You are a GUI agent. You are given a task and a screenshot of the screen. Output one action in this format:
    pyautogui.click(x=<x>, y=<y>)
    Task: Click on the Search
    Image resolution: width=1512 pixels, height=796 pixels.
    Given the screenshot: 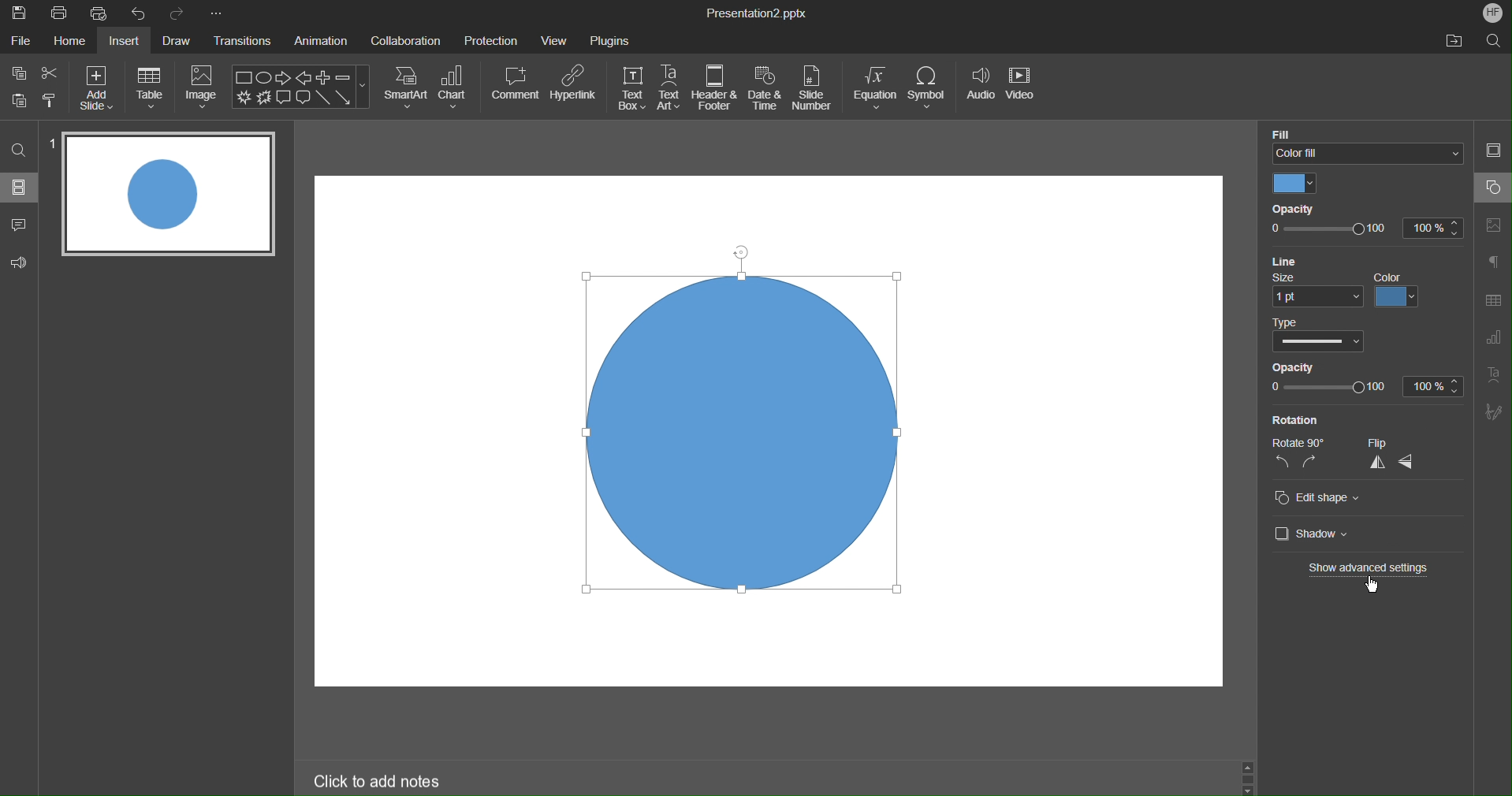 What is the action you would take?
    pyautogui.click(x=1494, y=40)
    